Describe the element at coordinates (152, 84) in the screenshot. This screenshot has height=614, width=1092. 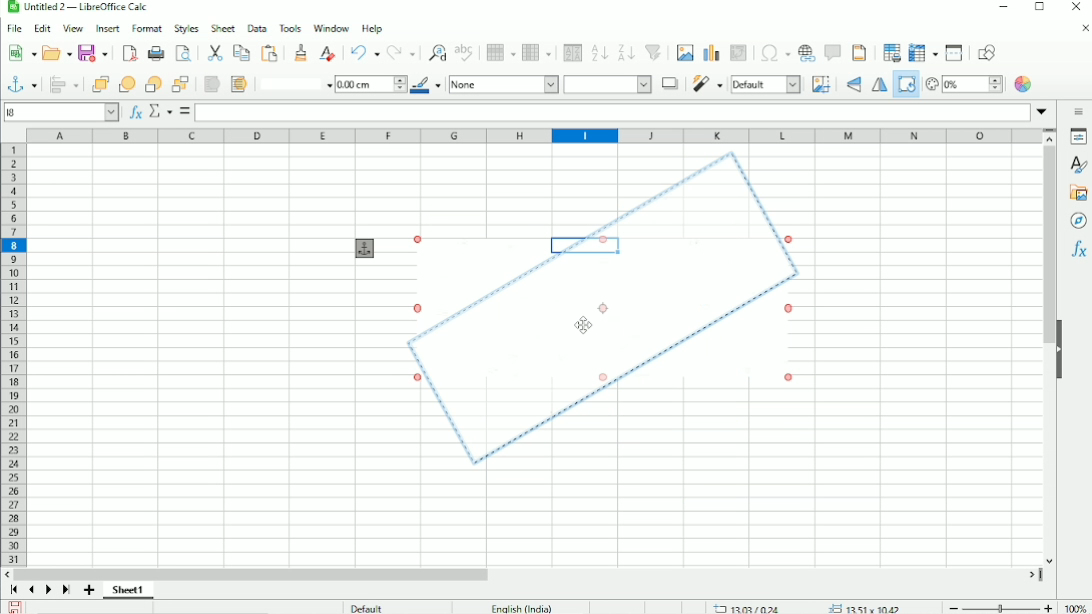
I see `Back one` at that location.